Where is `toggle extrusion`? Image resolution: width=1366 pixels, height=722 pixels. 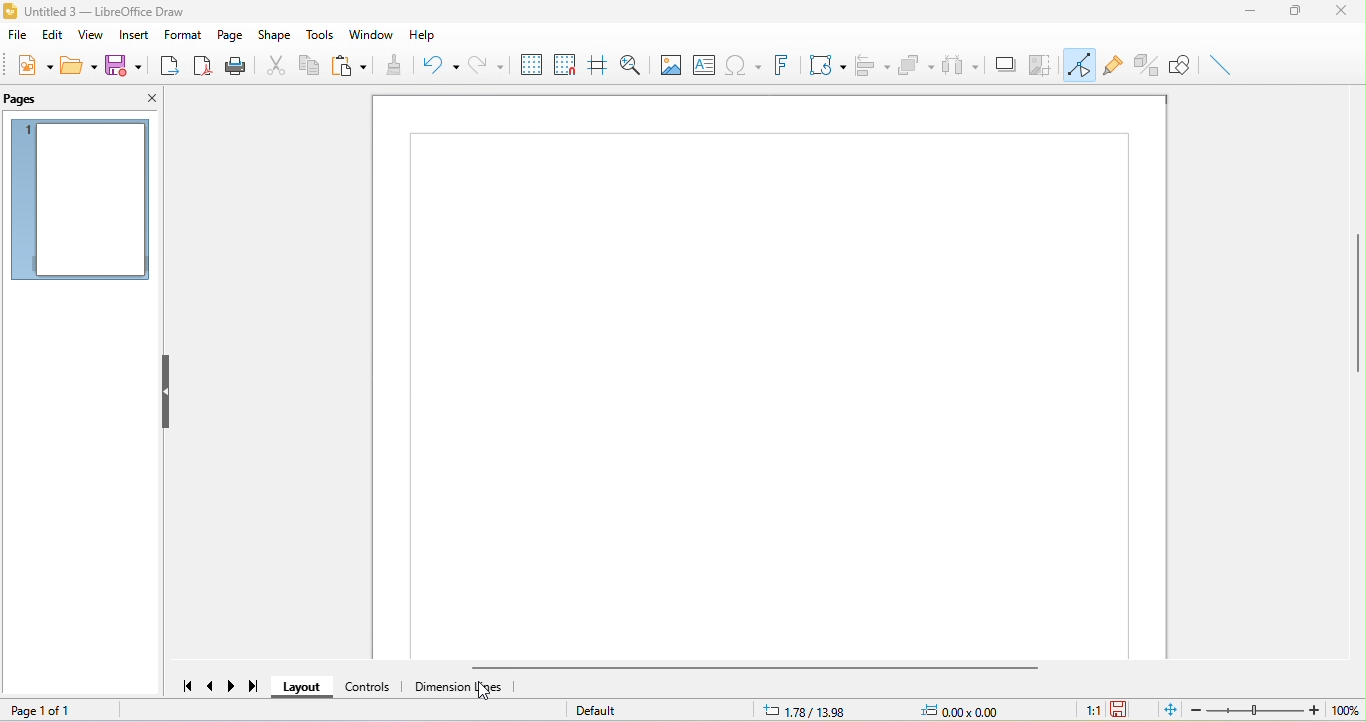
toggle extrusion is located at coordinates (1146, 65).